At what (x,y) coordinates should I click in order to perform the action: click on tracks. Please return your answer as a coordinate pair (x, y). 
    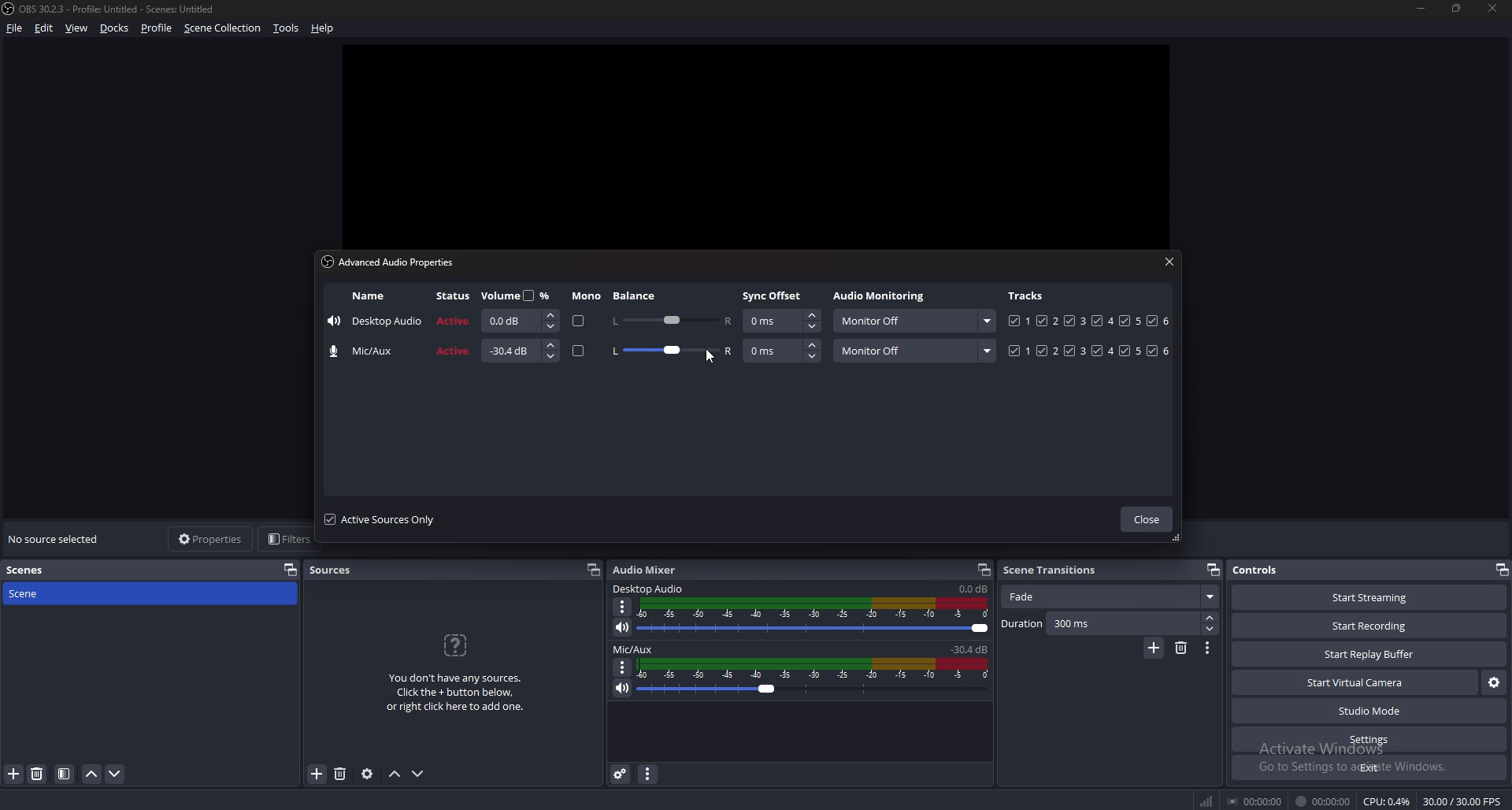
    Looking at the image, I should click on (1089, 321).